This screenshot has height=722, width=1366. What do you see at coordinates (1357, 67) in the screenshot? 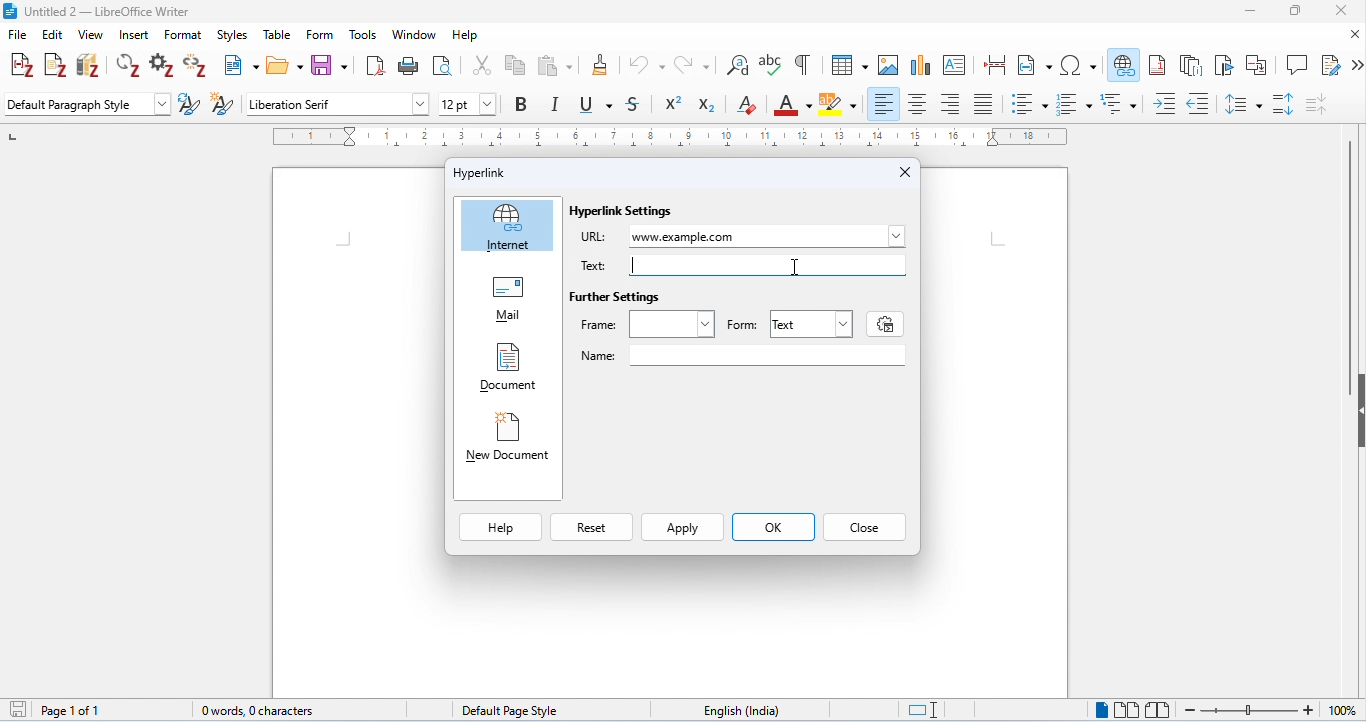
I see `more` at bounding box center [1357, 67].